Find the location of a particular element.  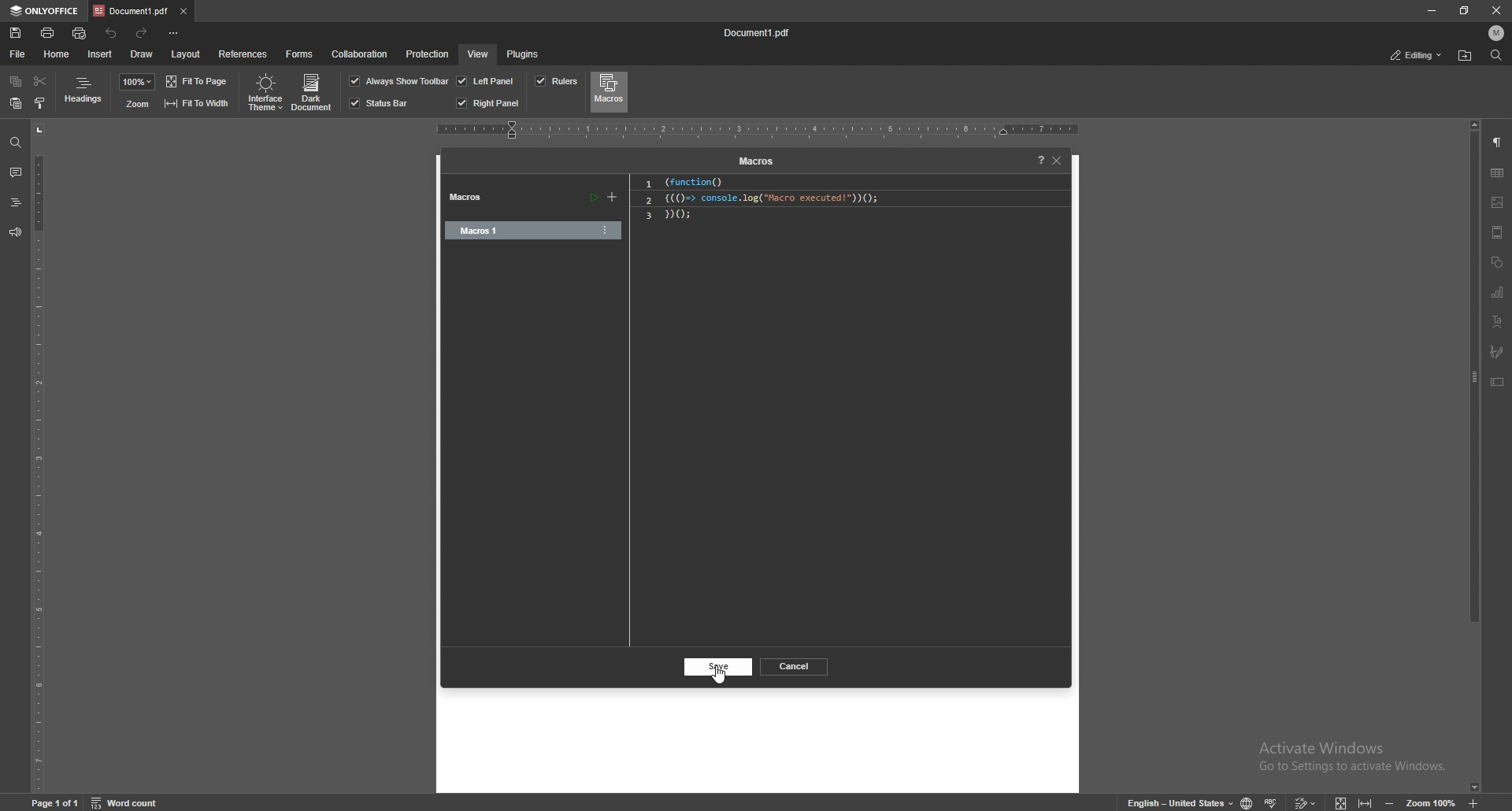

change doc language is located at coordinates (1247, 802).